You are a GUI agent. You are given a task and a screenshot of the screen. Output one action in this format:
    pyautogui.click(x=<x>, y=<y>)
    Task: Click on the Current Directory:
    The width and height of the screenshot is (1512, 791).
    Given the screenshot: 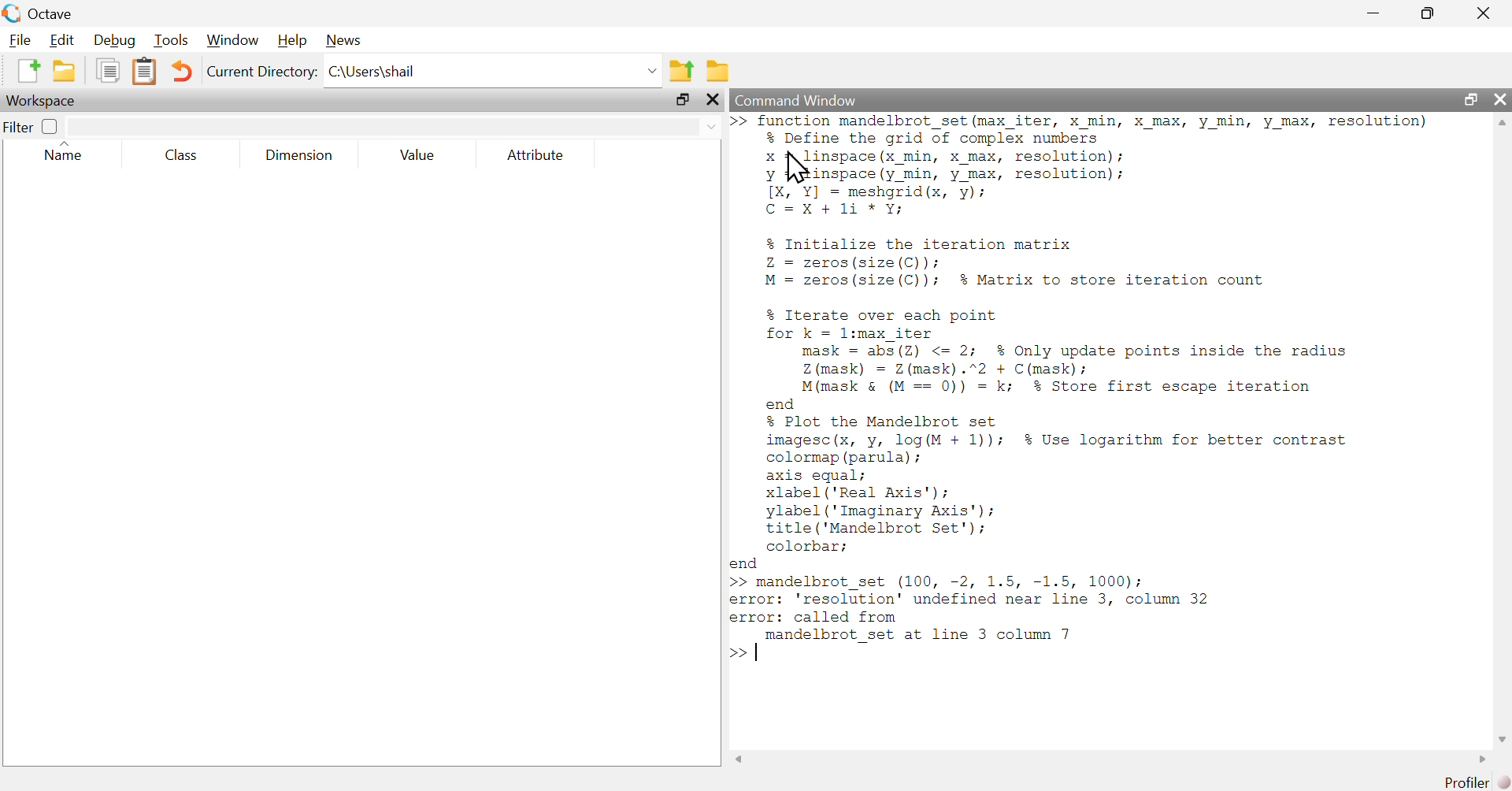 What is the action you would take?
    pyautogui.click(x=261, y=73)
    